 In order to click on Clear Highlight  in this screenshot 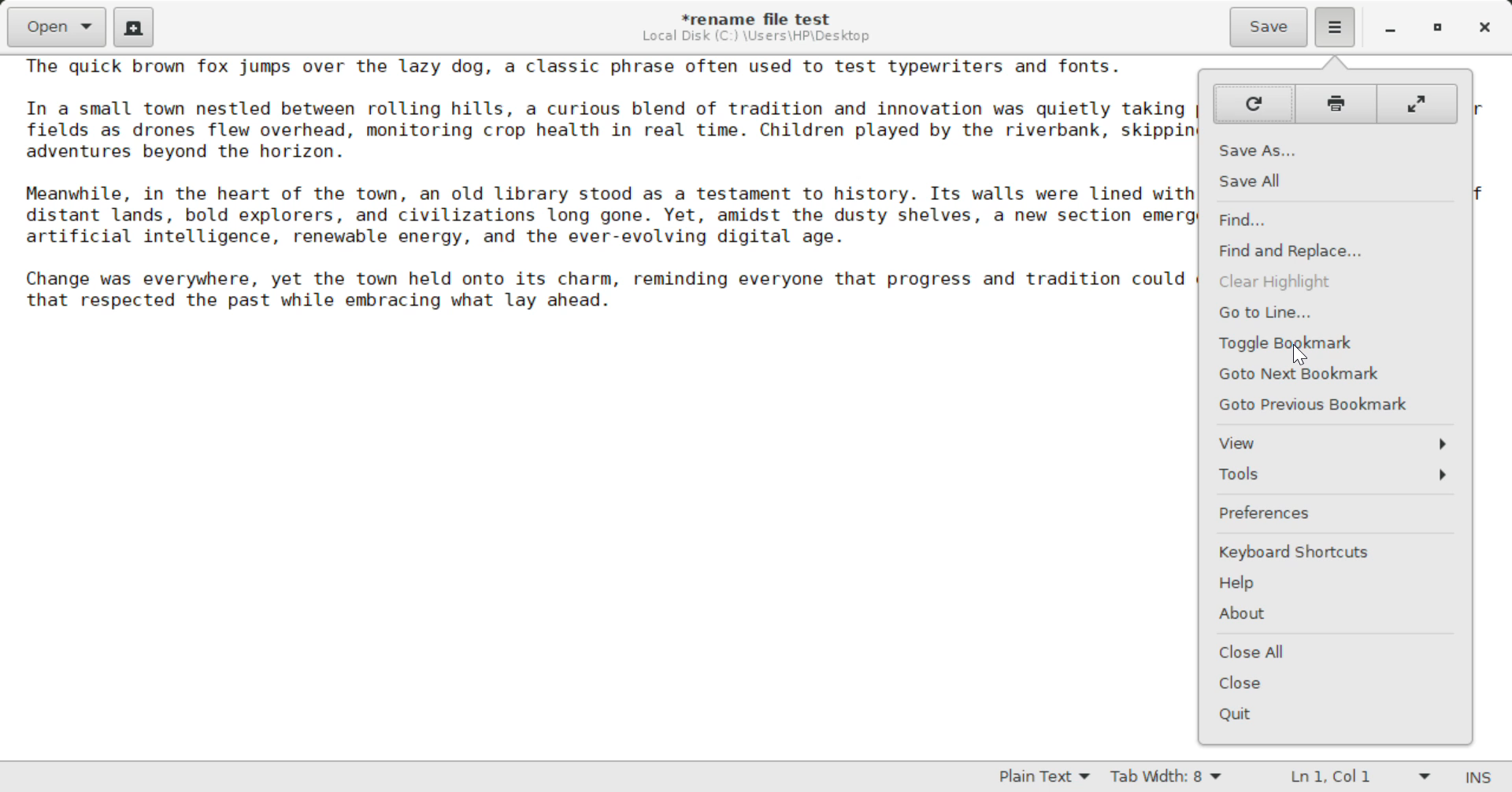, I will do `click(1332, 283)`.